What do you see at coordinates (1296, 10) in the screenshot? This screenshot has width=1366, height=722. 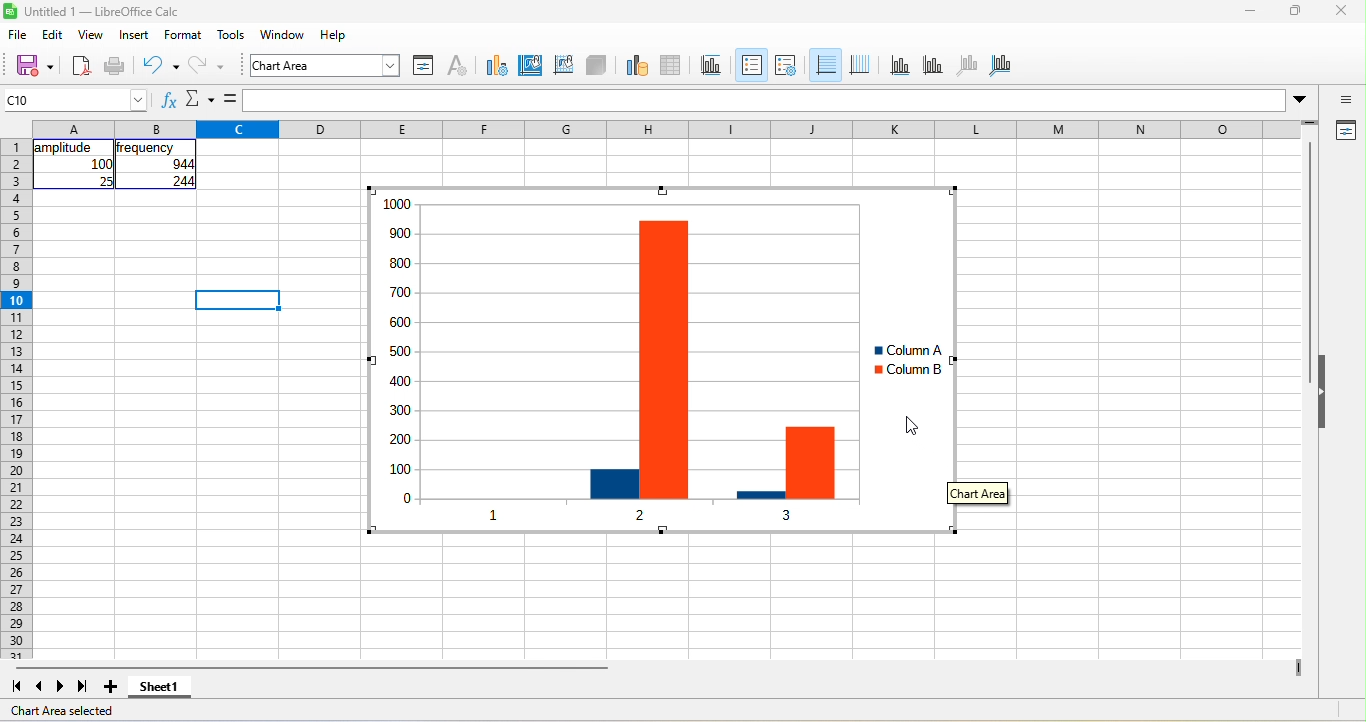 I see `maximize` at bounding box center [1296, 10].